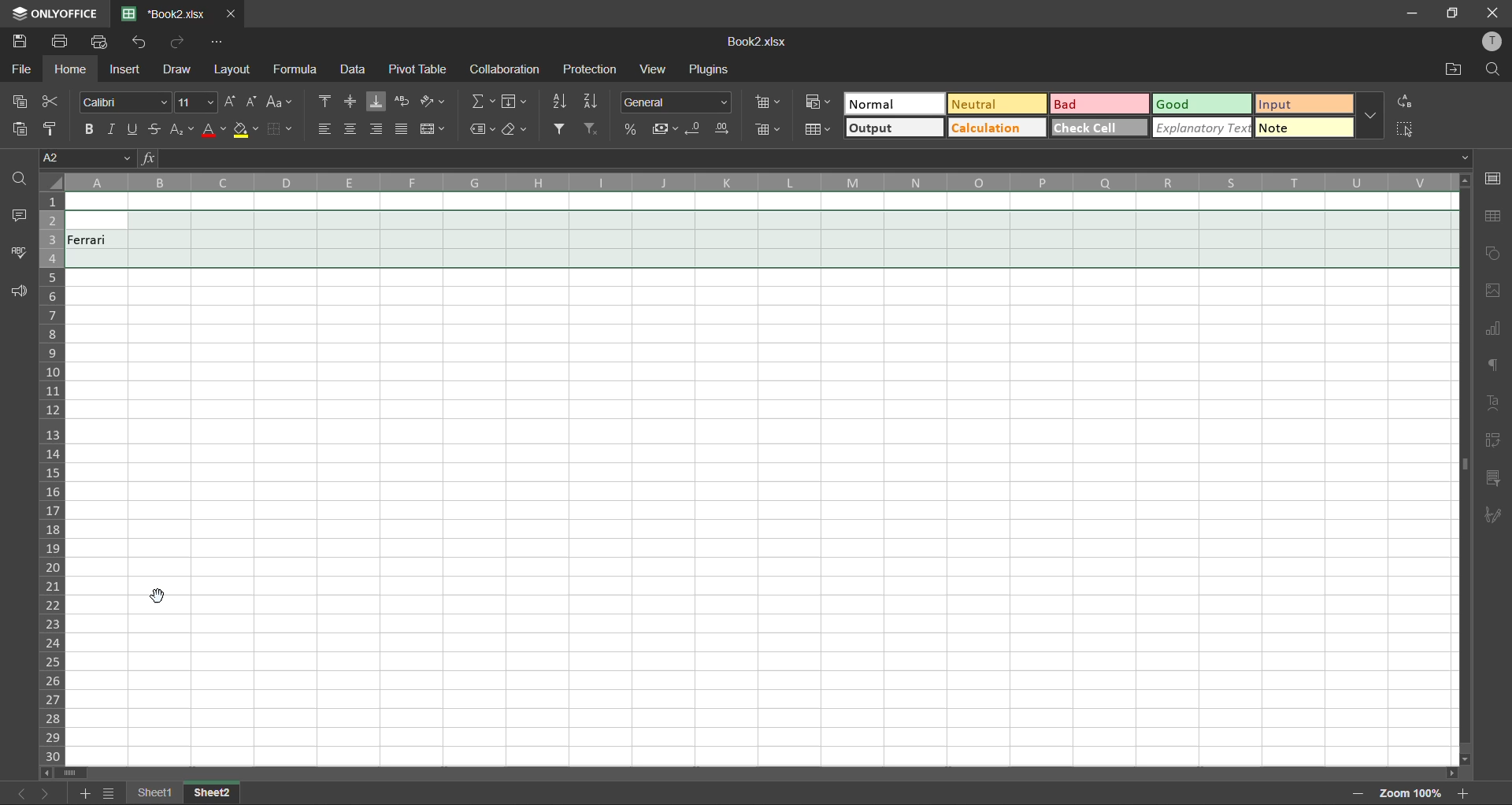  What do you see at coordinates (476, 129) in the screenshot?
I see `named ranges` at bounding box center [476, 129].